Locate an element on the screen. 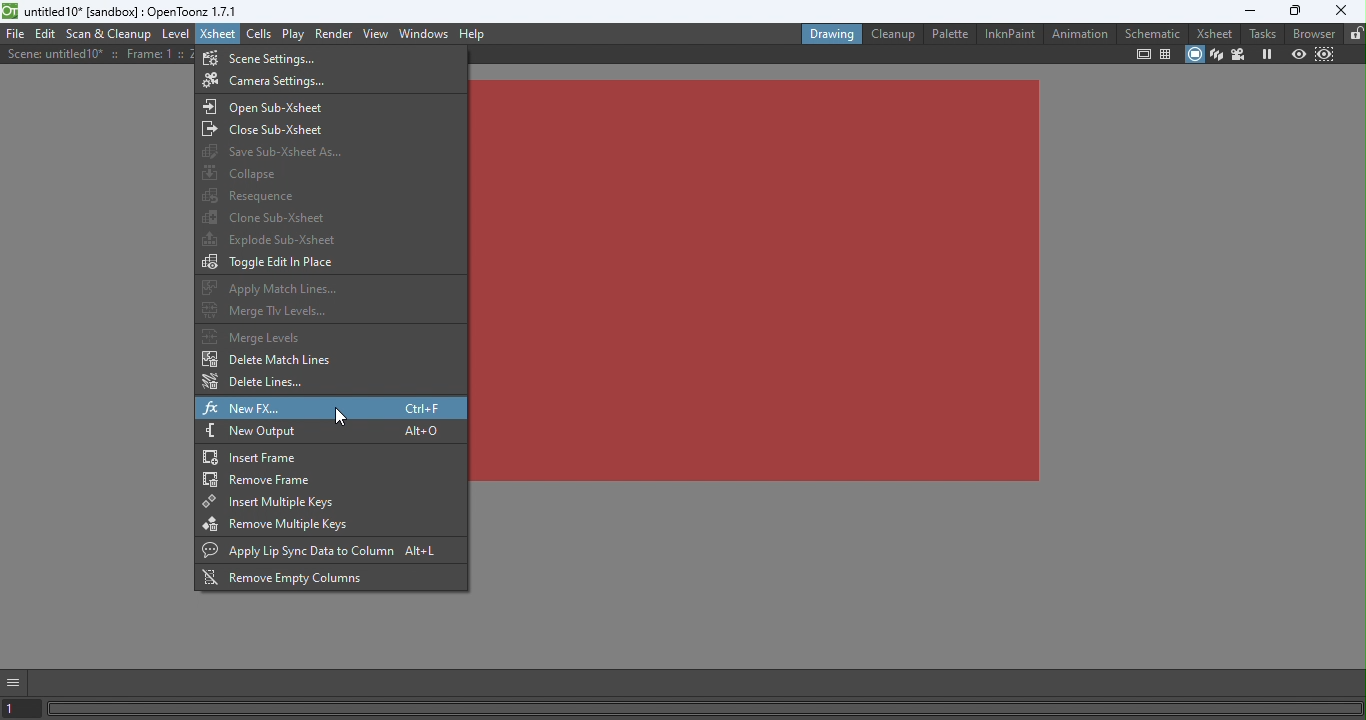  Lock rooms tab is located at coordinates (1356, 34).